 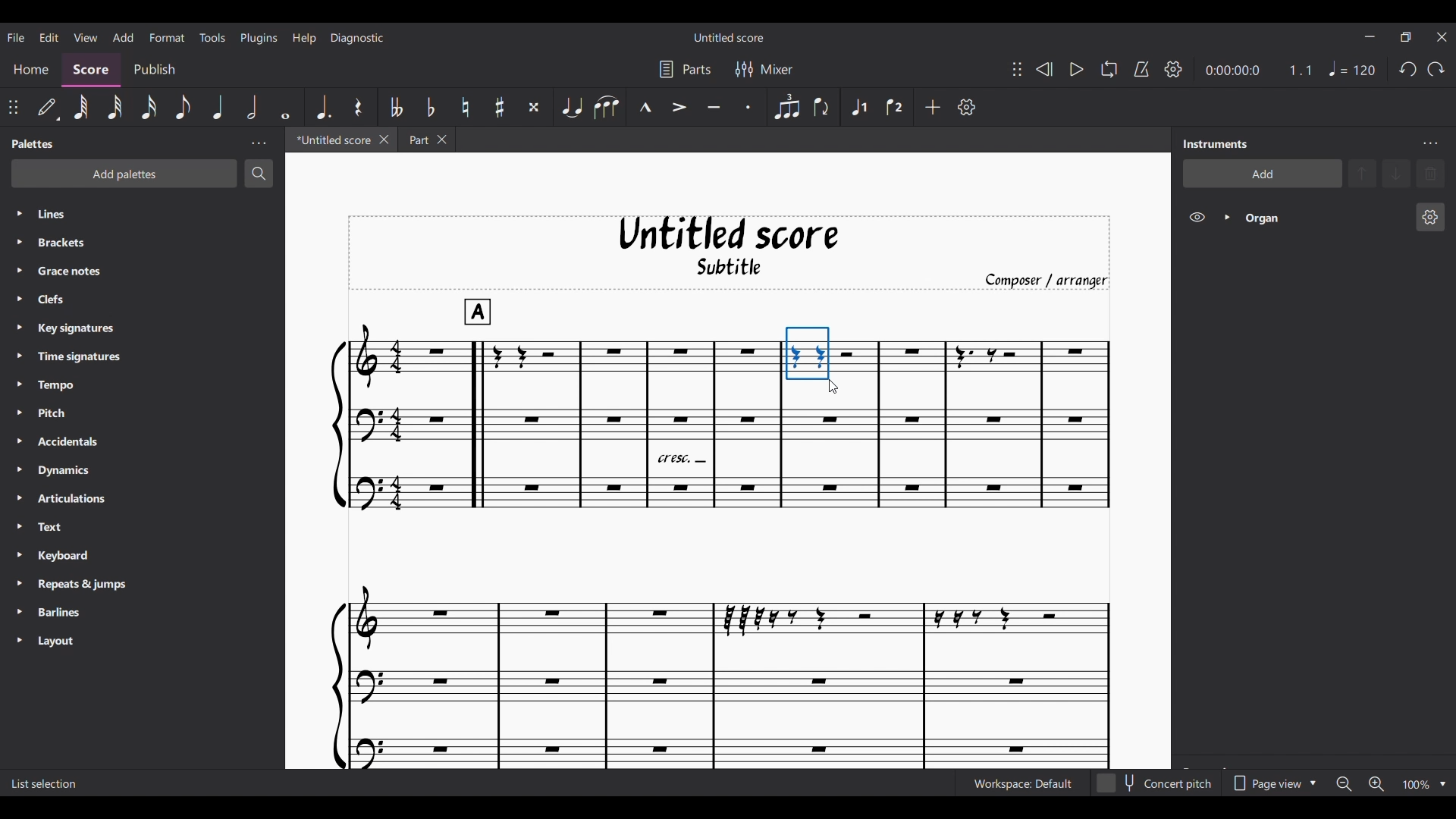 What do you see at coordinates (1216, 143) in the screenshot?
I see `Panel title` at bounding box center [1216, 143].